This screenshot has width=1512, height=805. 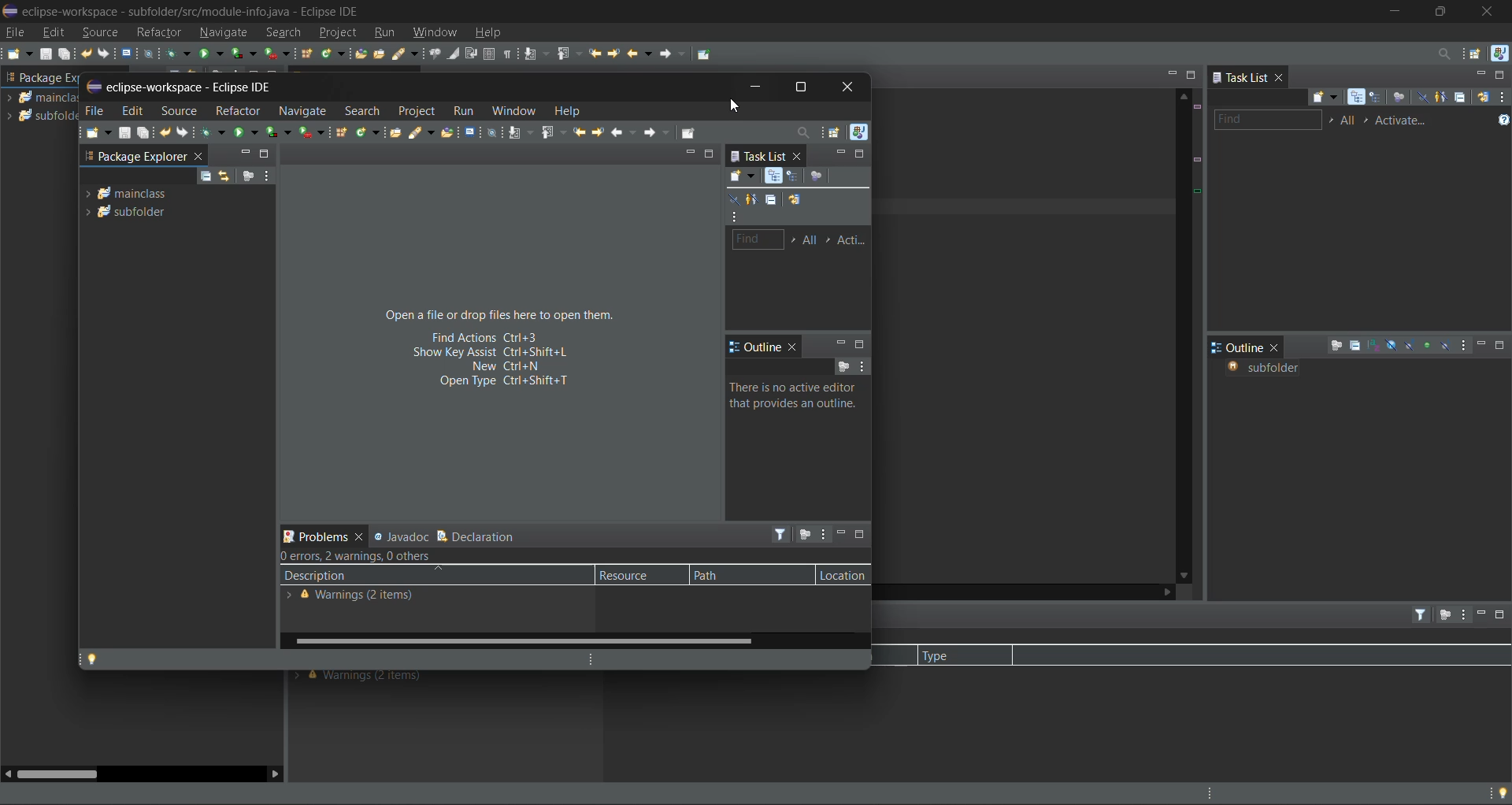 I want to click on window, so click(x=434, y=34).